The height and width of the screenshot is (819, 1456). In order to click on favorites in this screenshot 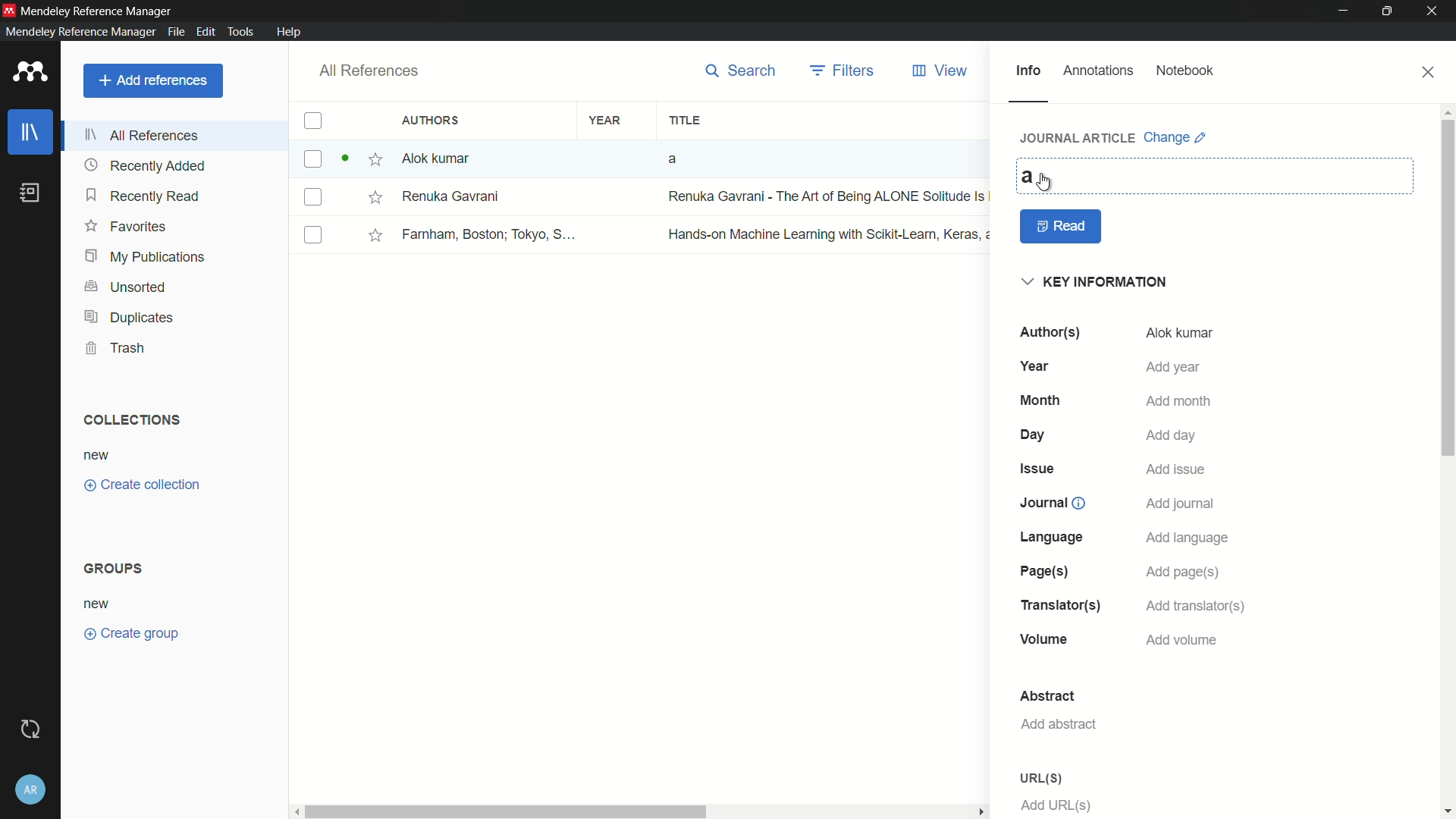, I will do `click(125, 225)`.